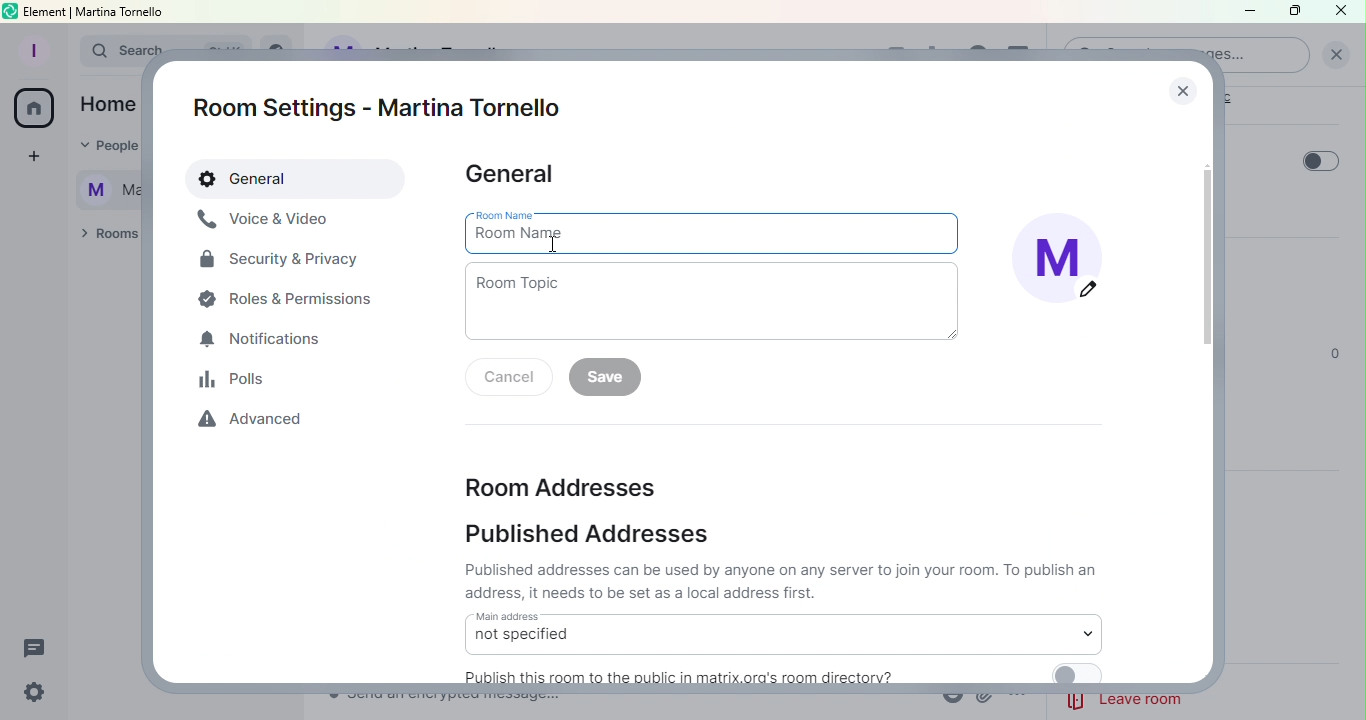 This screenshot has height=720, width=1366. Describe the element at coordinates (782, 633) in the screenshot. I see `Main address` at that location.